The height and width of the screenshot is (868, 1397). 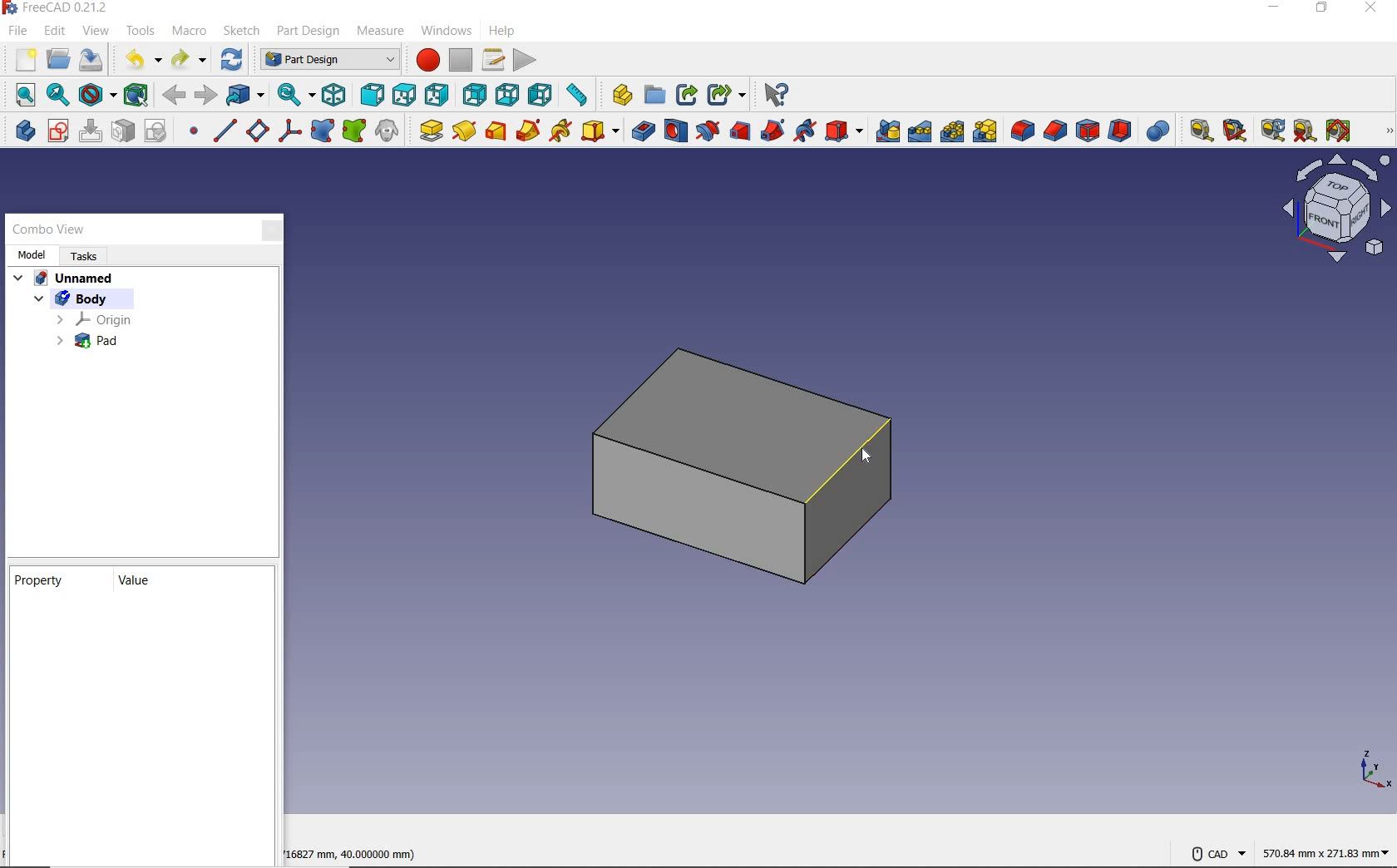 I want to click on thickness, so click(x=1122, y=131).